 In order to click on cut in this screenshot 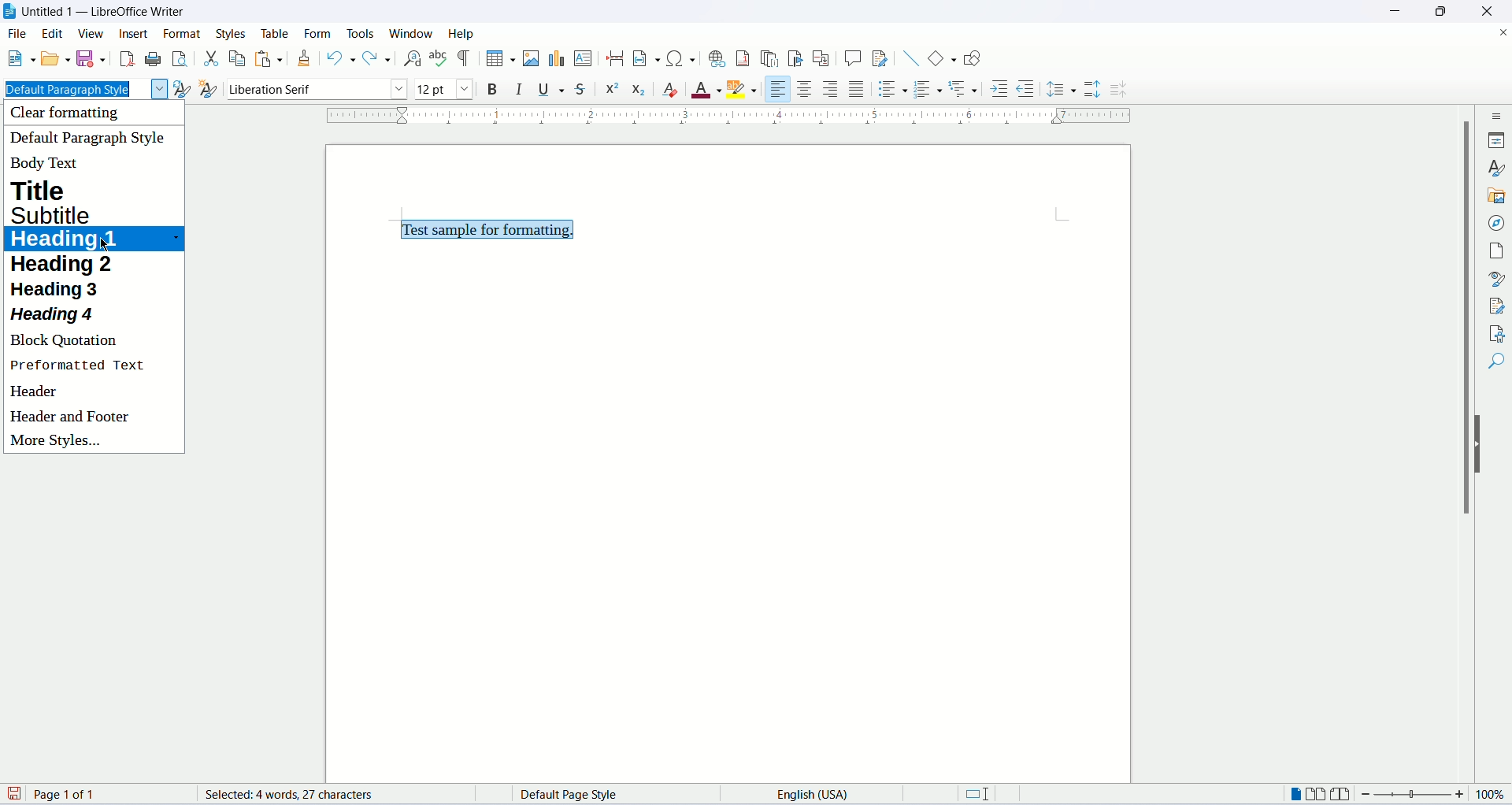, I will do `click(209, 57)`.